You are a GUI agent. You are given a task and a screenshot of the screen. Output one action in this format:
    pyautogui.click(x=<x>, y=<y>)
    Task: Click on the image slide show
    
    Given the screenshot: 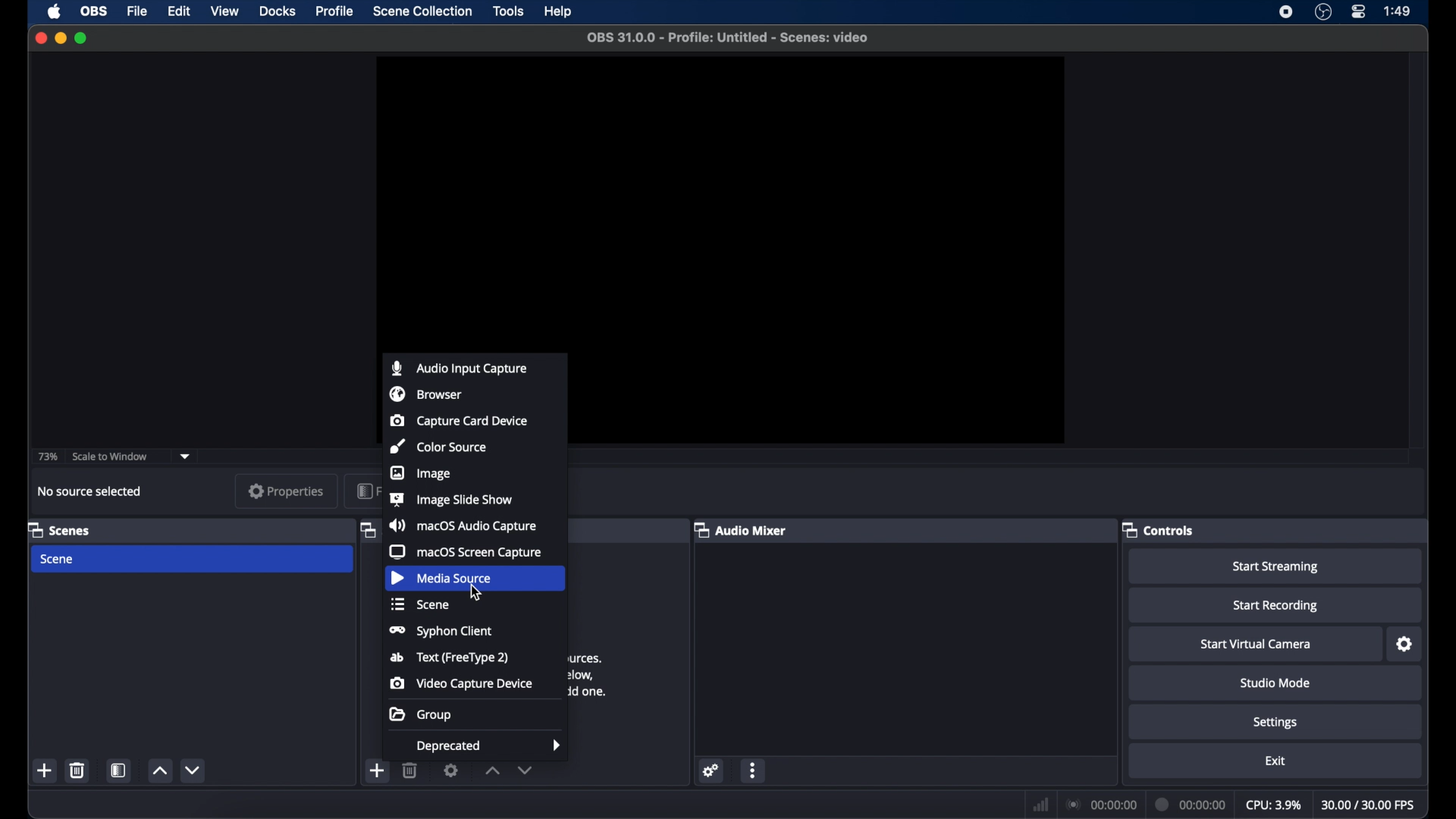 What is the action you would take?
    pyautogui.click(x=452, y=500)
    